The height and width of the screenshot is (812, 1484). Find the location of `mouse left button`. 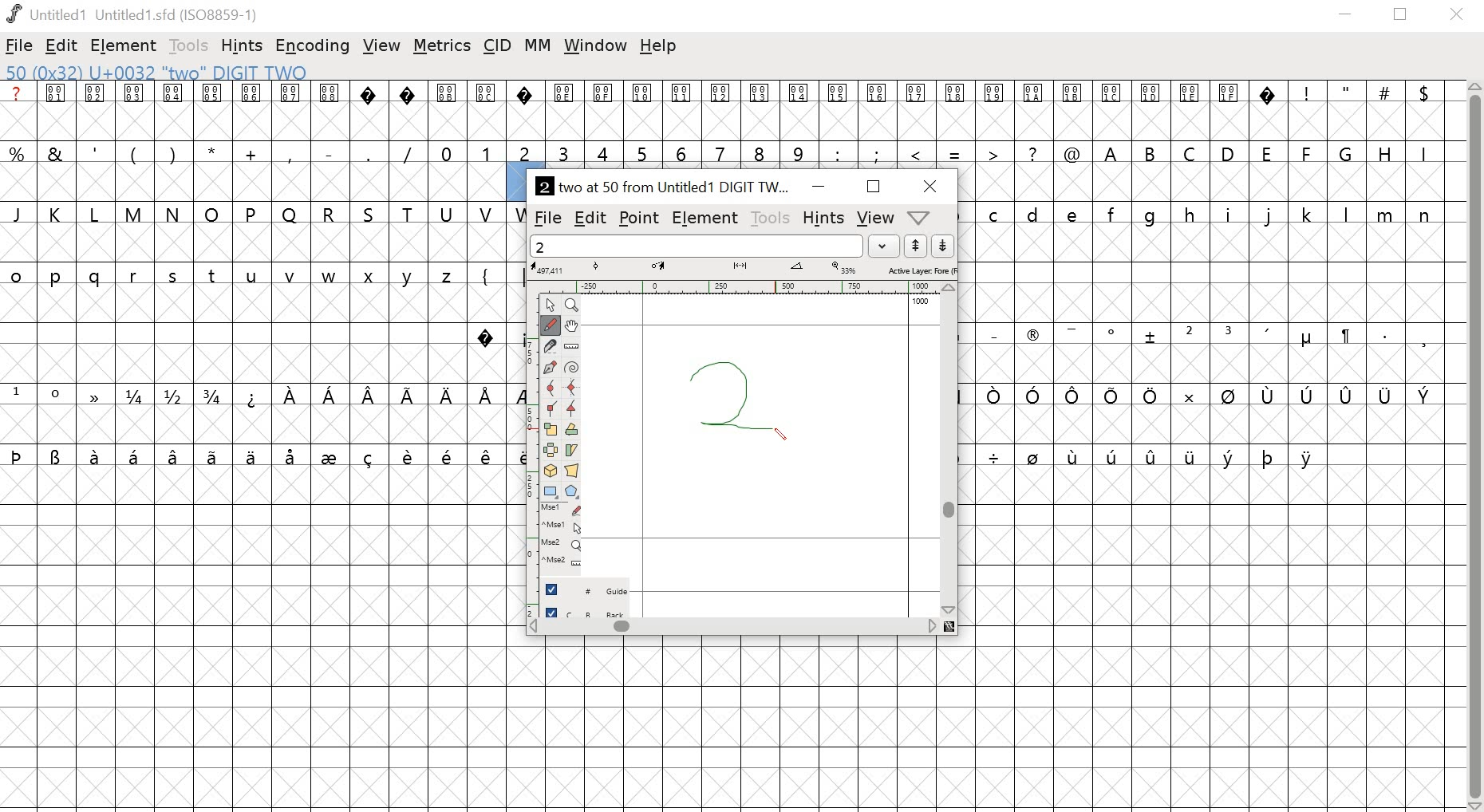

mouse left button is located at coordinates (565, 510).